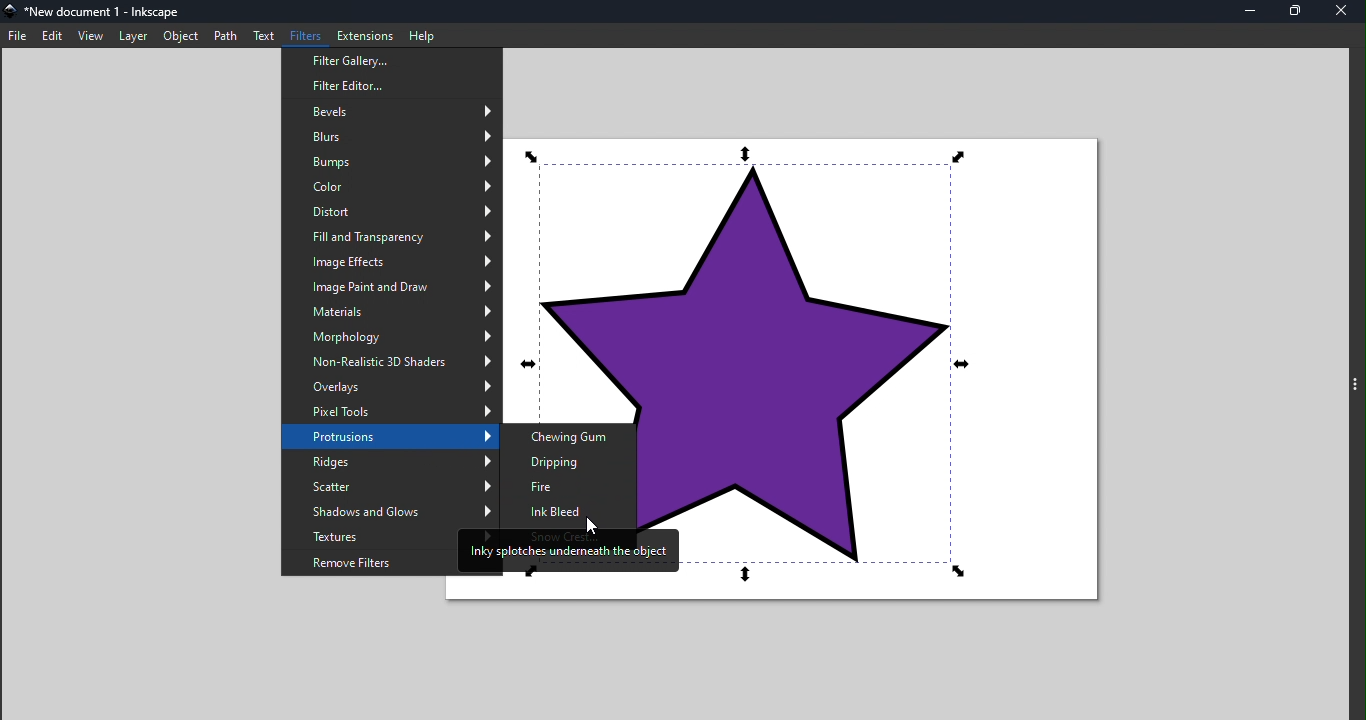 This screenshot has width=1366, height=720. Describe the element at coordinates (393, 339) in the screenshot. I see `Morphology` at that location.